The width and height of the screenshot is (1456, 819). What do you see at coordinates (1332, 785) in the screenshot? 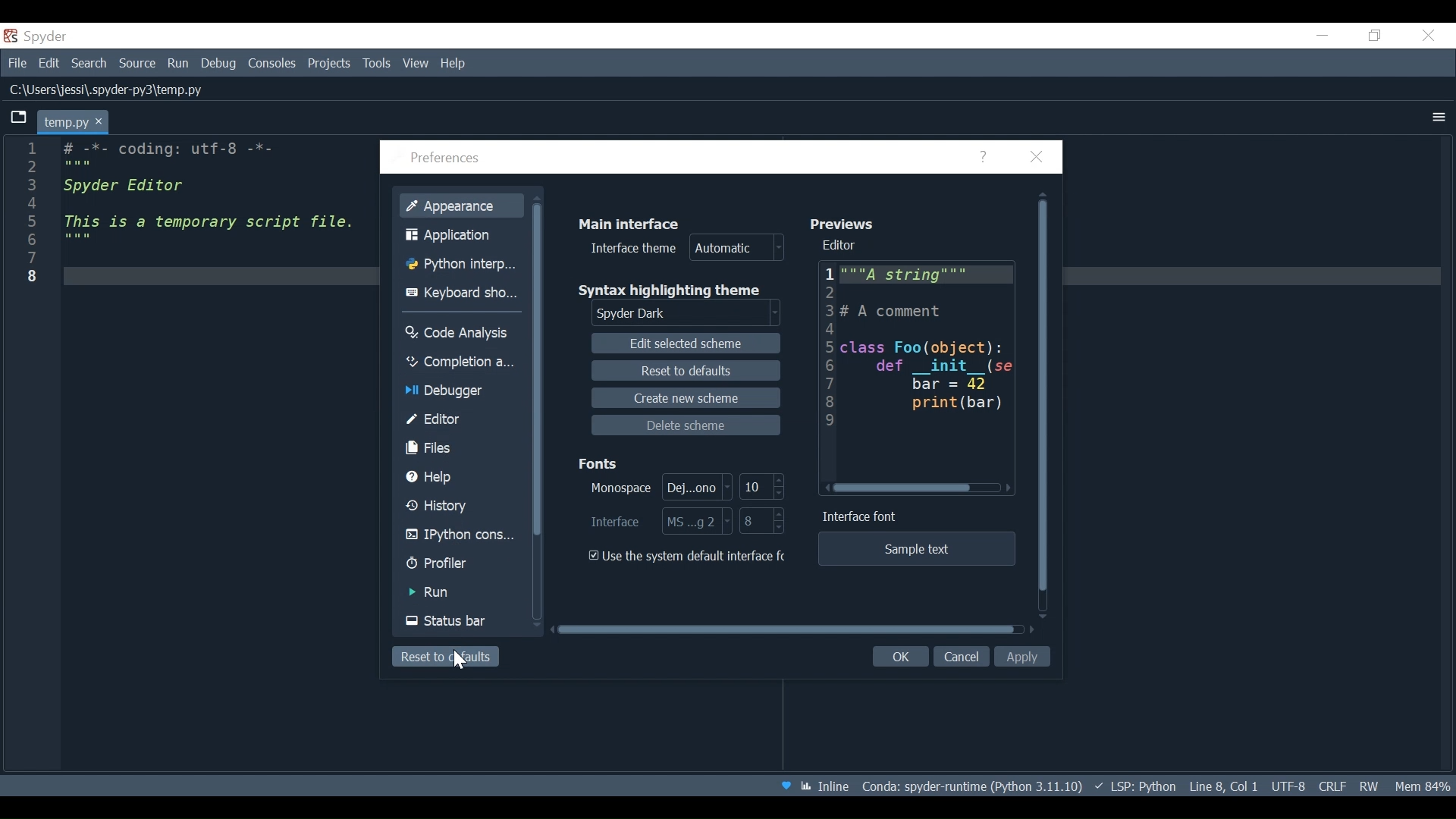
I see `File EQL Stat` at bounding box center [1332, 785].